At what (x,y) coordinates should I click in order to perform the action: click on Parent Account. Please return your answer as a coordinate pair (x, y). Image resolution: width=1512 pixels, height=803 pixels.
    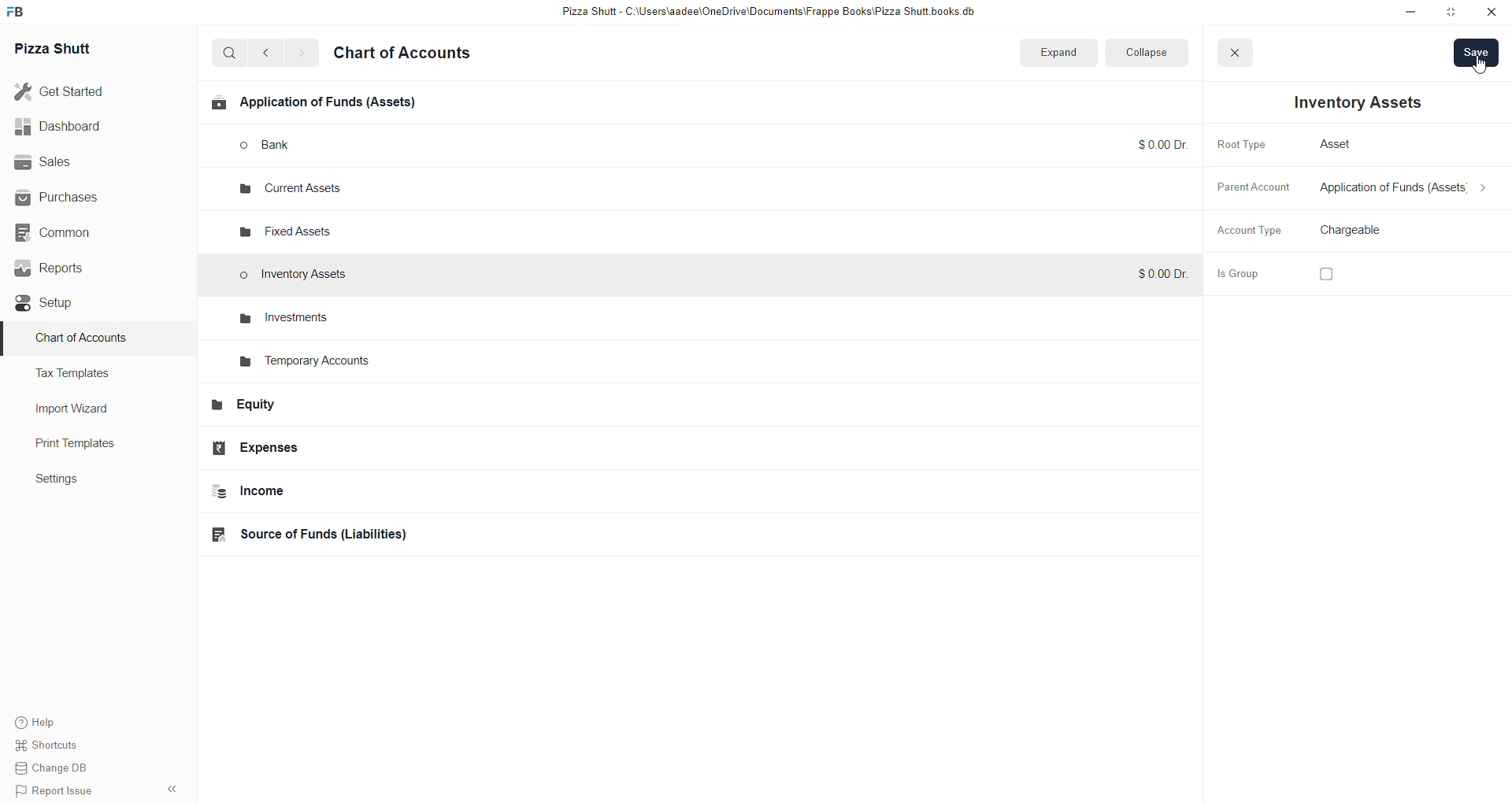
    Looking at the image, I should click on (1242, 189).